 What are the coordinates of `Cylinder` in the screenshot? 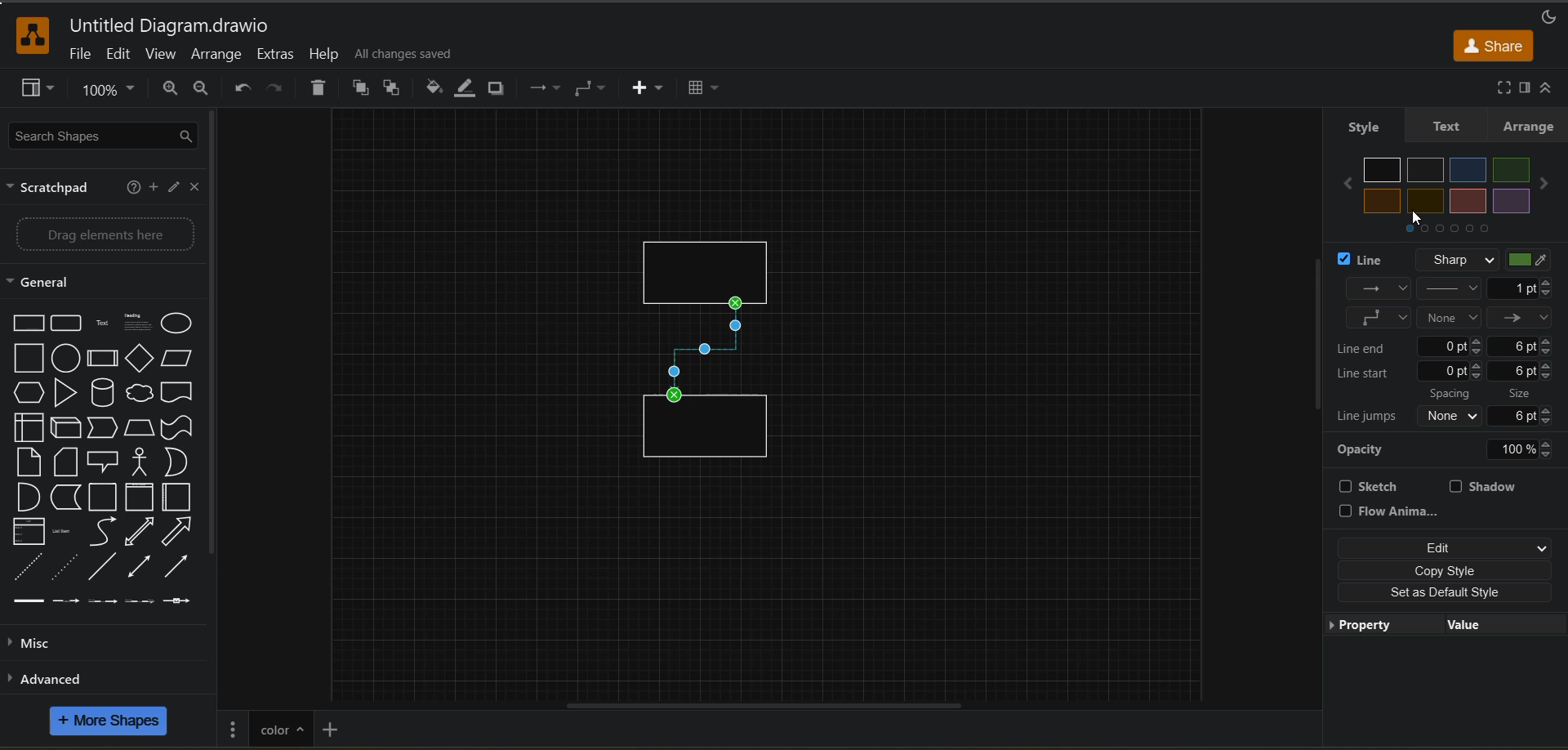 It's located at (103, 393).